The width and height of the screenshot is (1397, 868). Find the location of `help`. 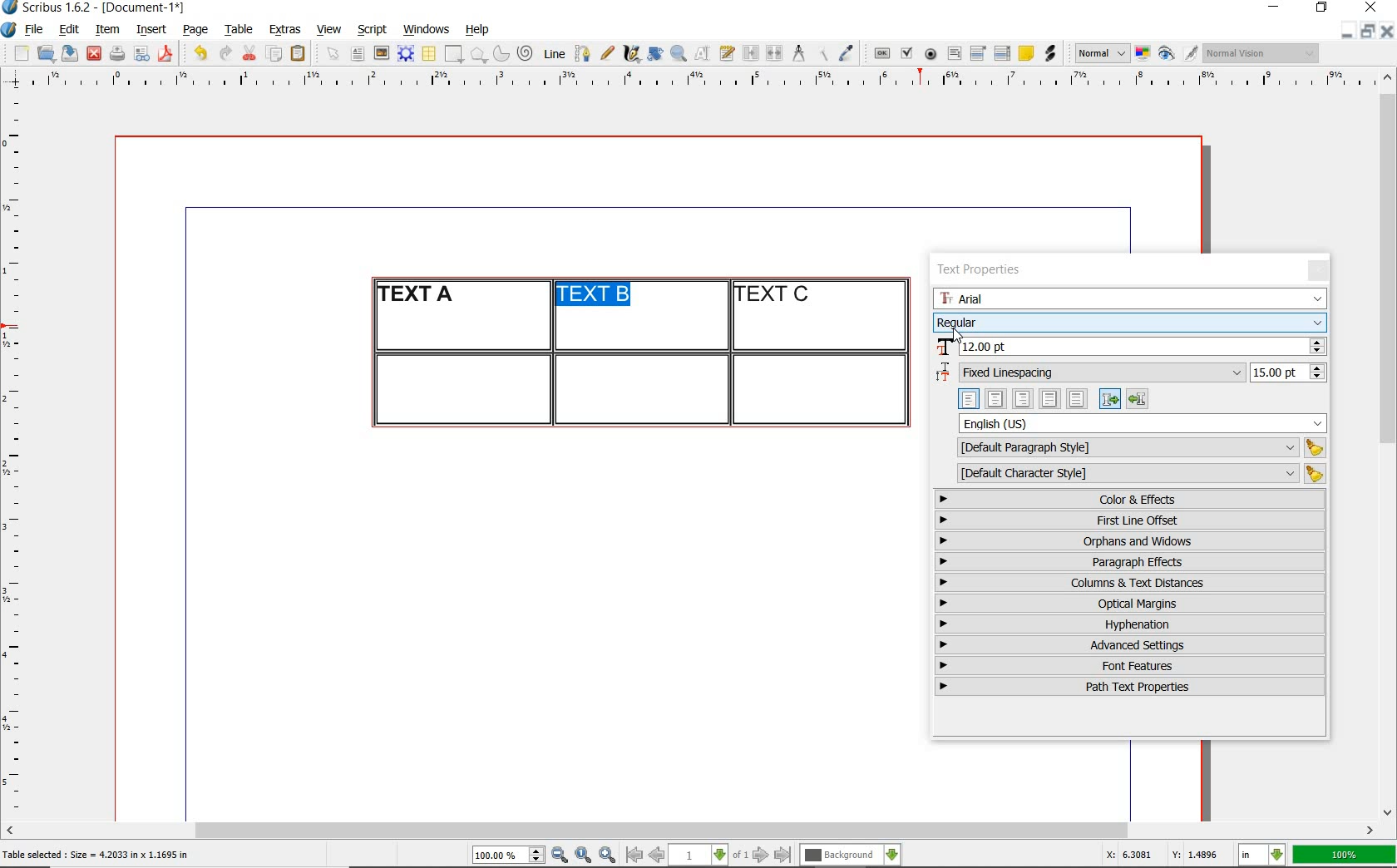

help is located at coordinates (476, 31).